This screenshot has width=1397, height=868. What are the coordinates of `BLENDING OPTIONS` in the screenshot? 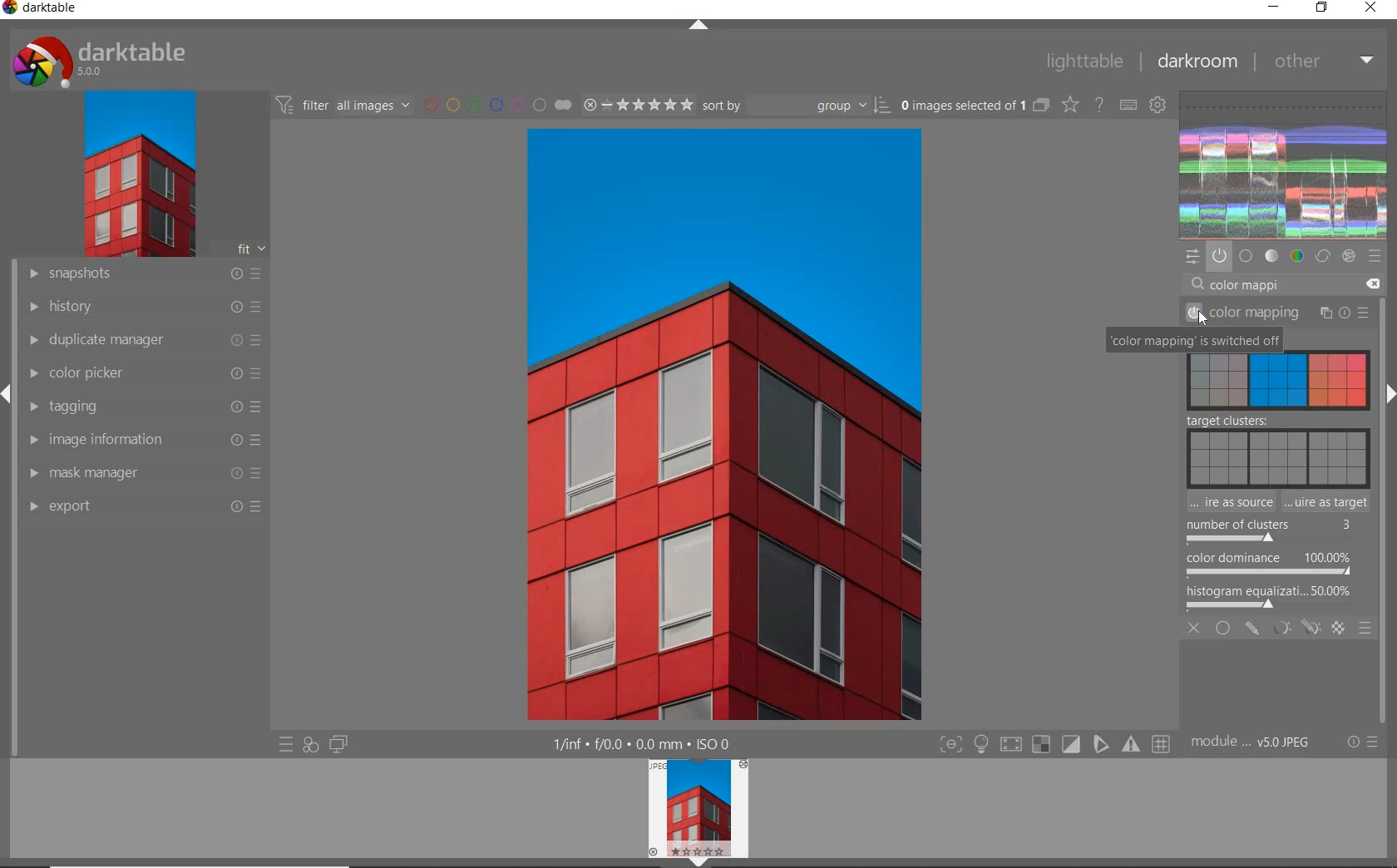 It's located at (1365, 629).